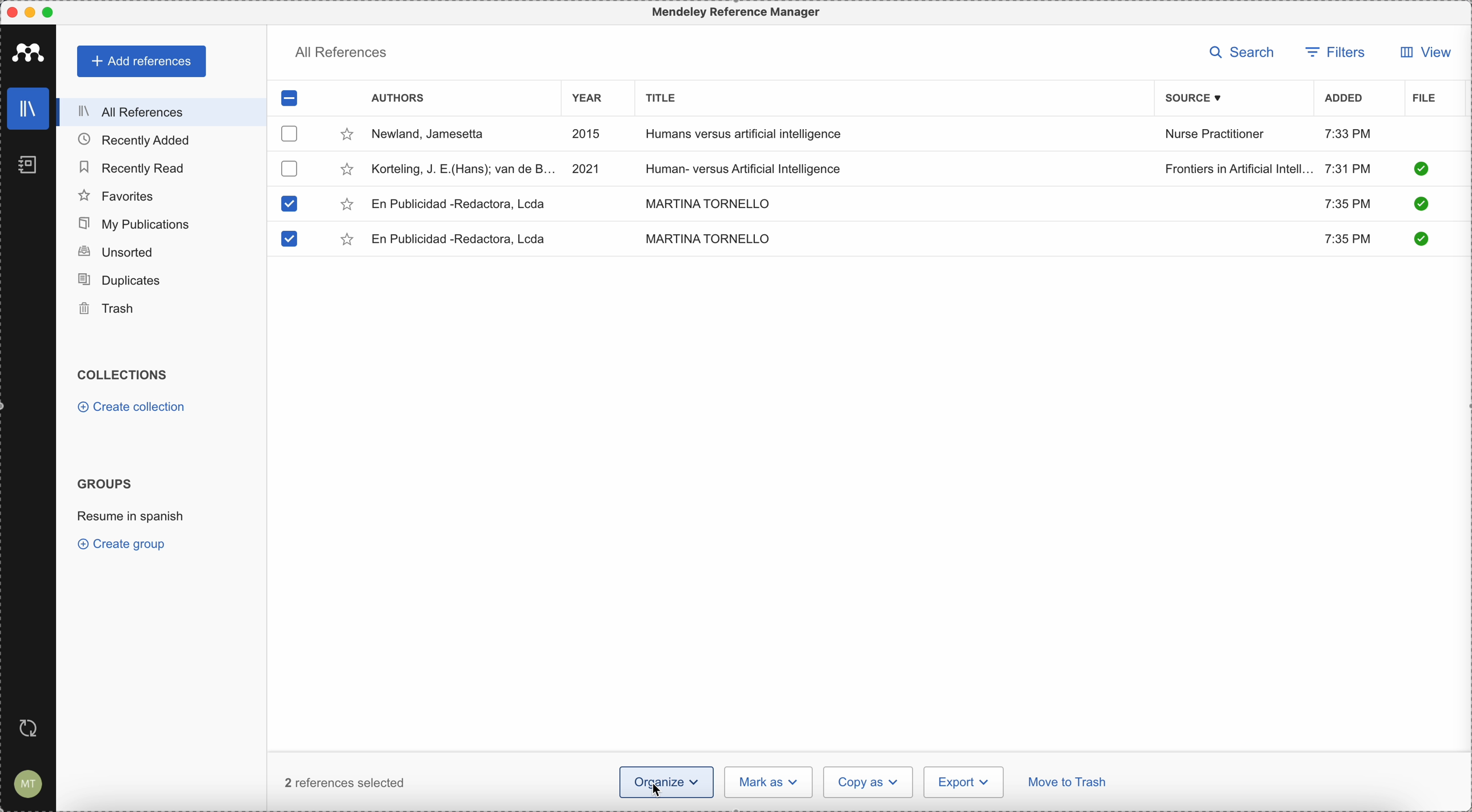 The width and height of the screenshot is (1472, 812). What do you see at coordinates (1348, 133) in the screenshot?
I see `7:33 PM` at bounding box center [1348, 133].